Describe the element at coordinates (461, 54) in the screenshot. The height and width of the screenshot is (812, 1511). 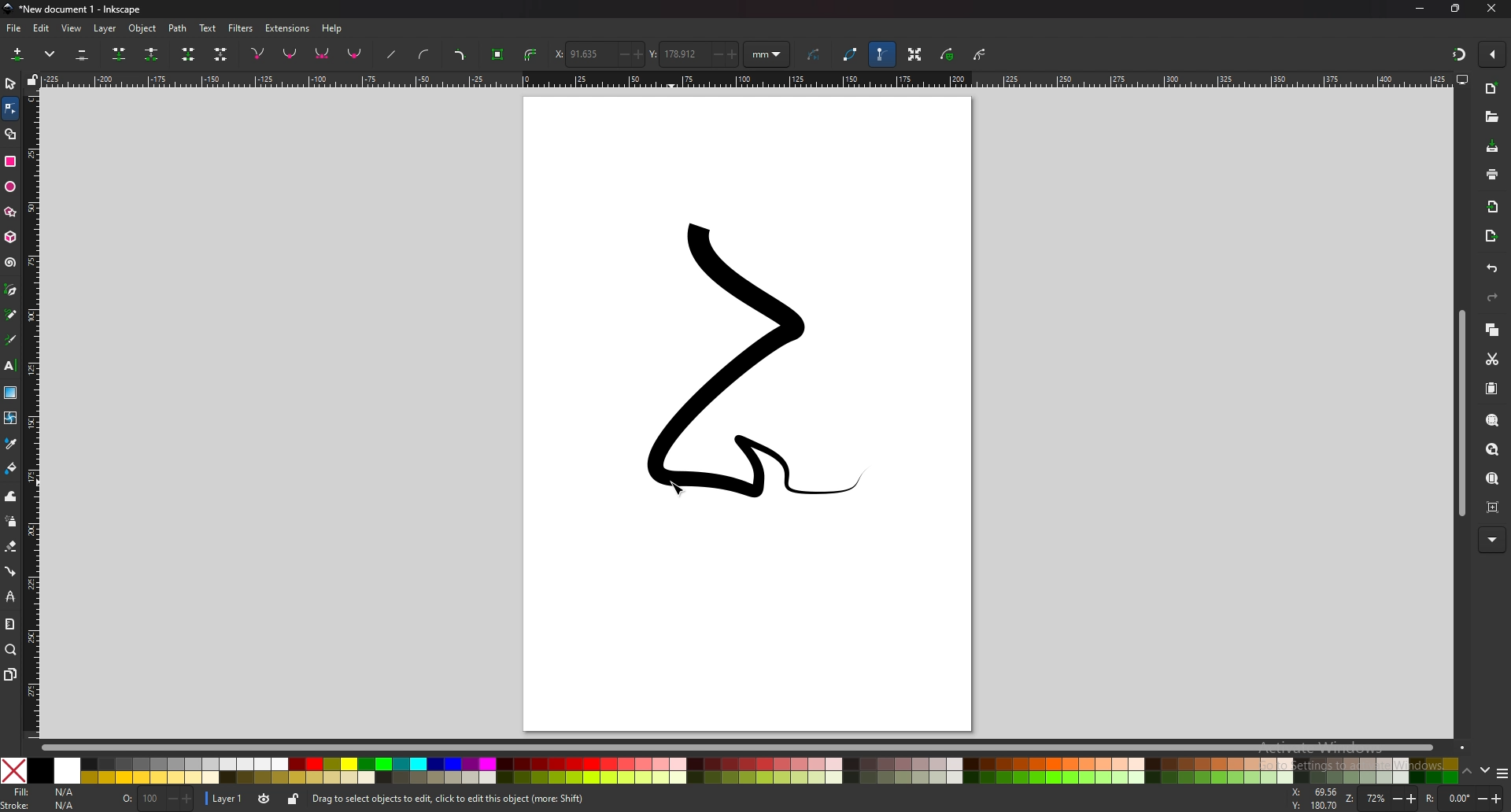
I see `add corners lpe` at that location.